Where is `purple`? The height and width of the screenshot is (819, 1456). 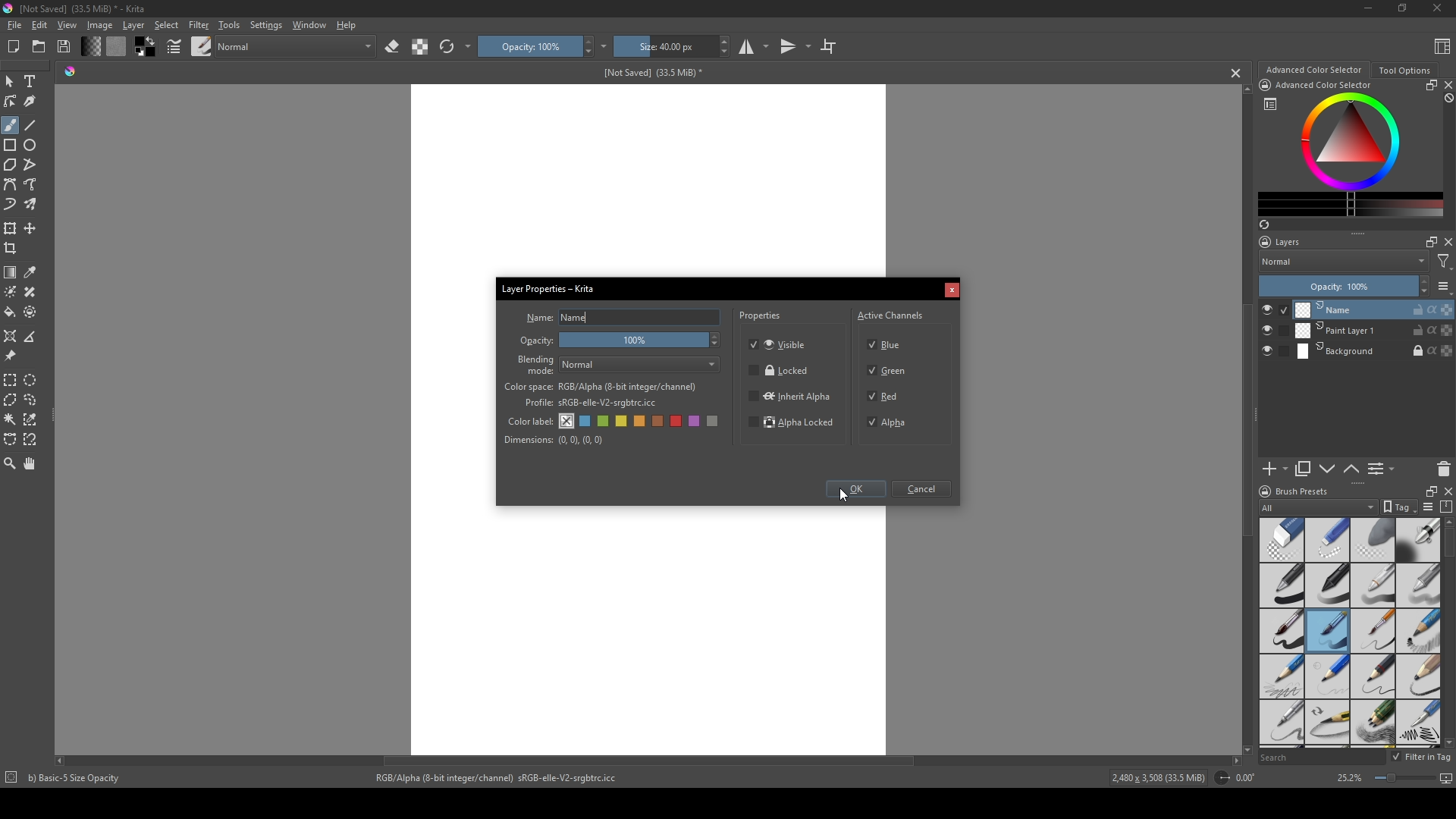
purple is located at coordinates (697, 422).